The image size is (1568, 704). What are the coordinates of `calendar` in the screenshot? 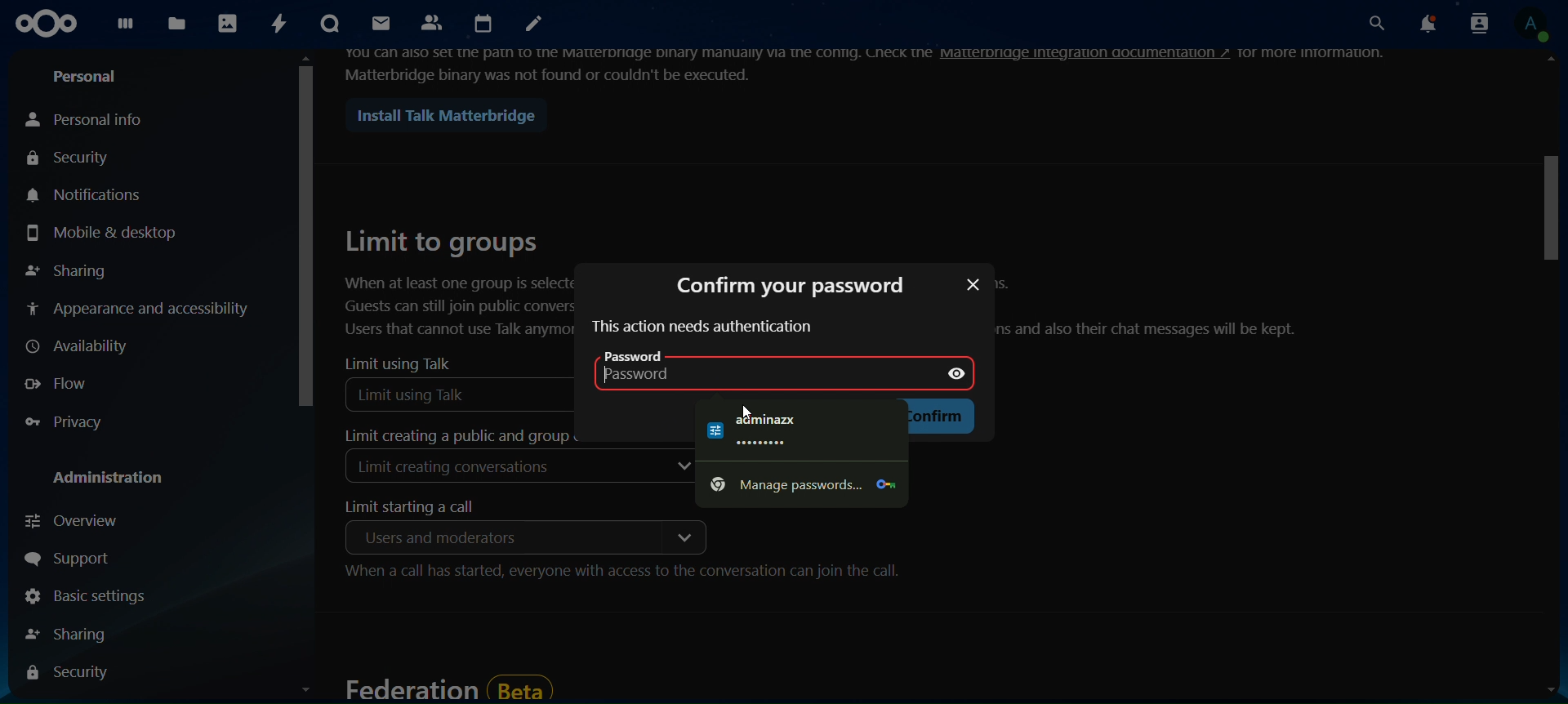 It's located at (486, 25).